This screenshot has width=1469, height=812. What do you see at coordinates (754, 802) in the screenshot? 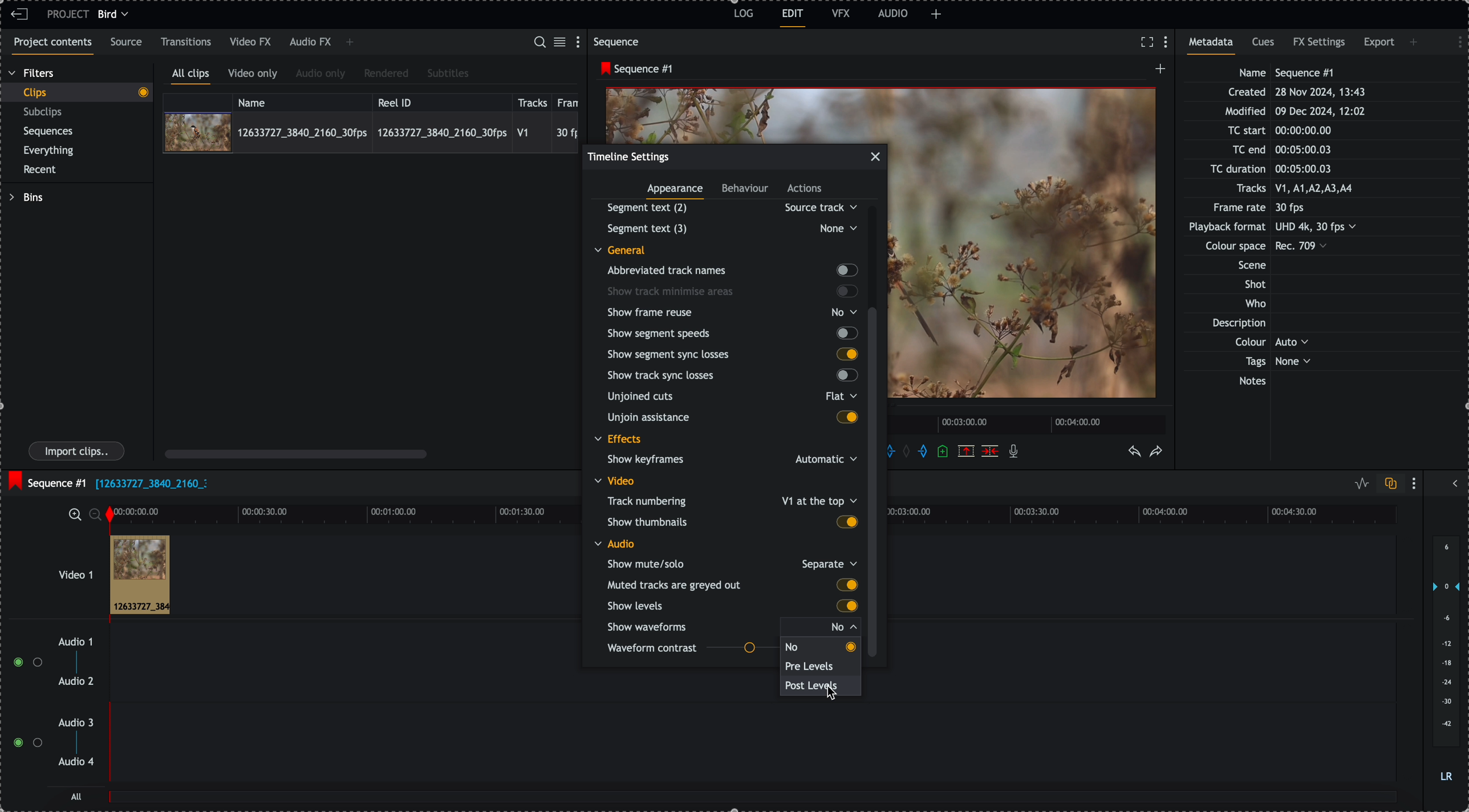
I see `all` at bounding box center [754, 802].